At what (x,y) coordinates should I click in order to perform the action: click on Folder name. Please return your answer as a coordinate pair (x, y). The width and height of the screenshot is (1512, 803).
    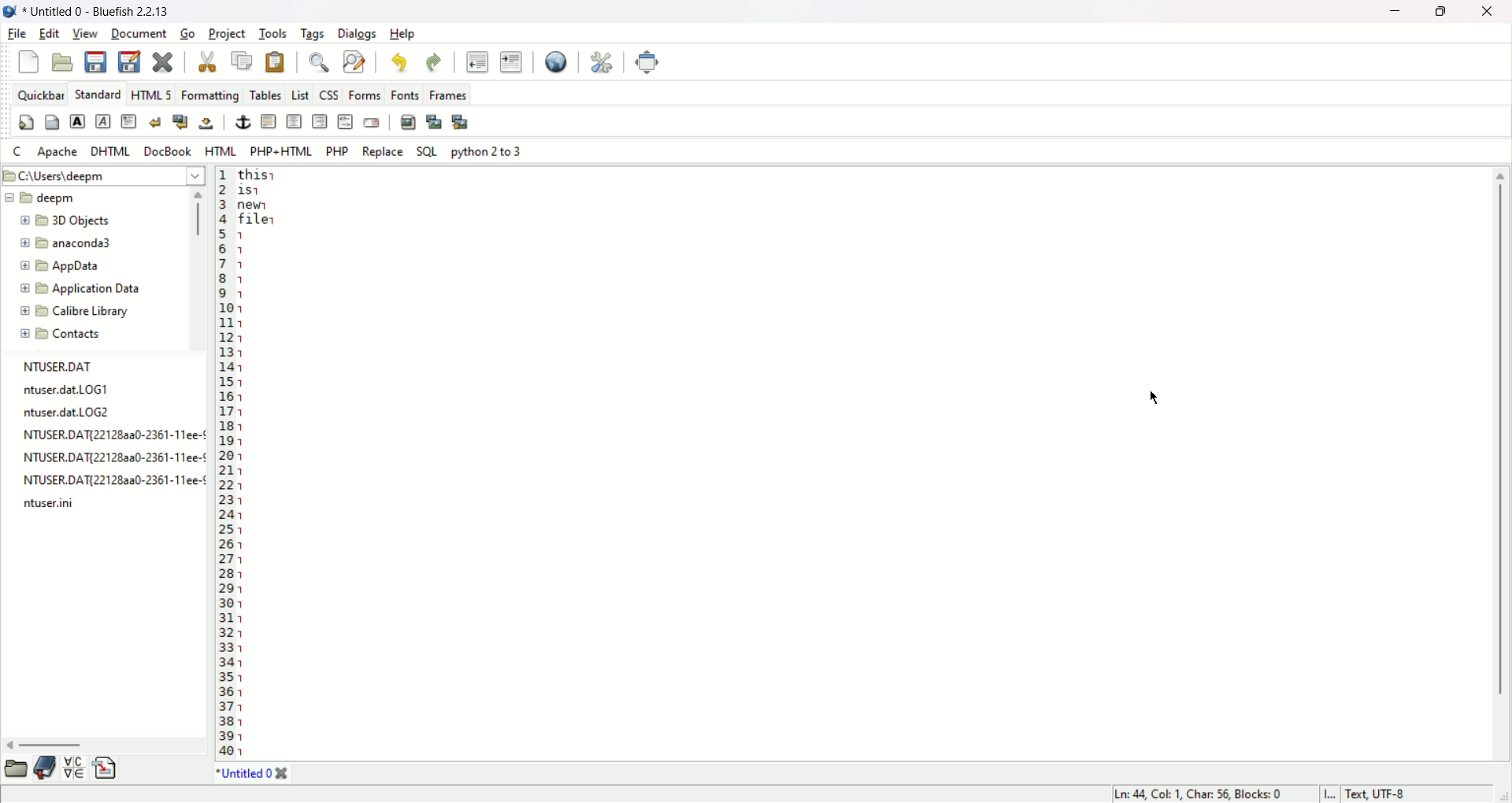
    Looking at the image, I should click on (75, 221).